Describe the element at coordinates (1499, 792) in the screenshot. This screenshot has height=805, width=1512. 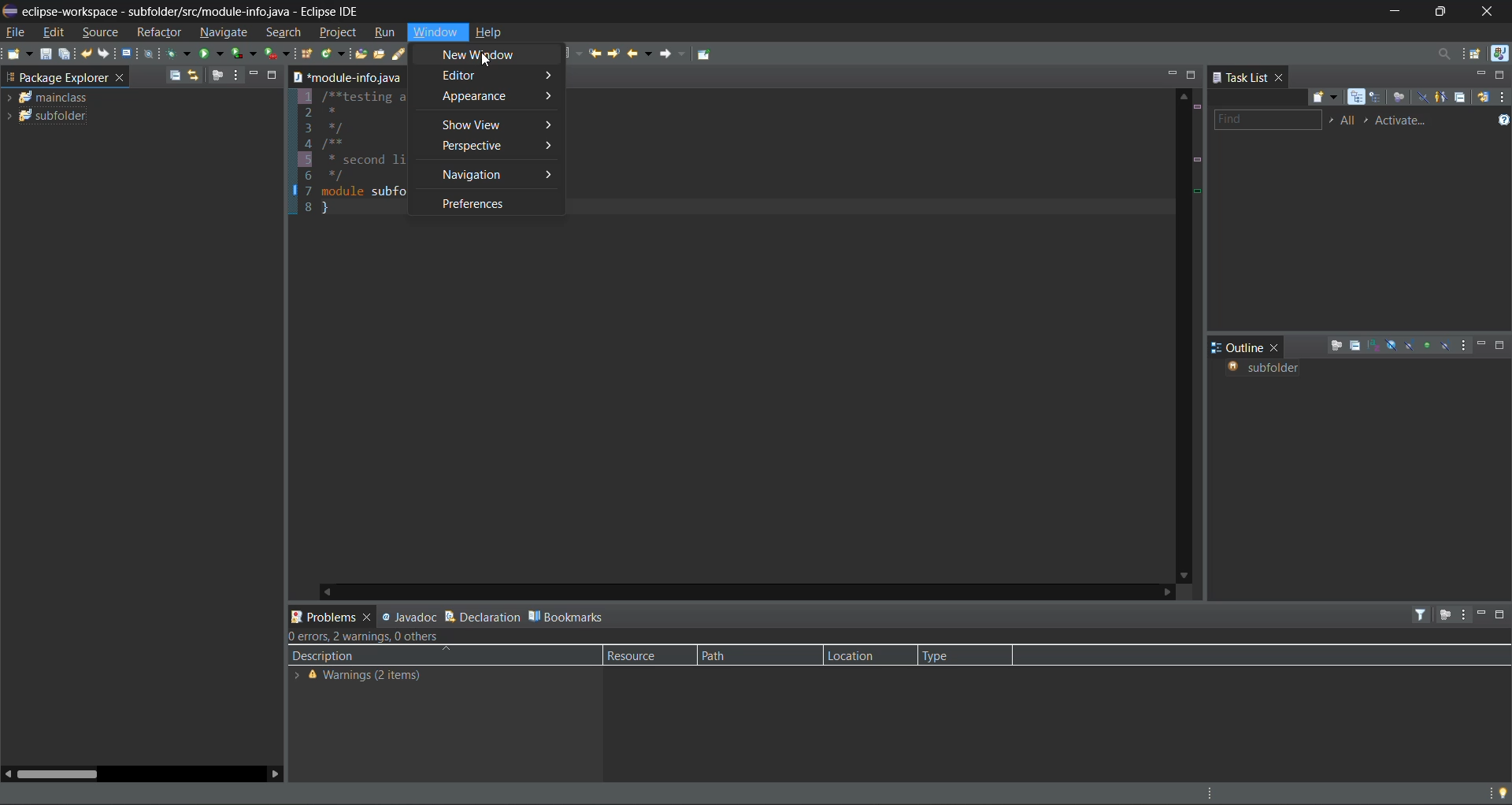
I see `tip of the day` at that location.